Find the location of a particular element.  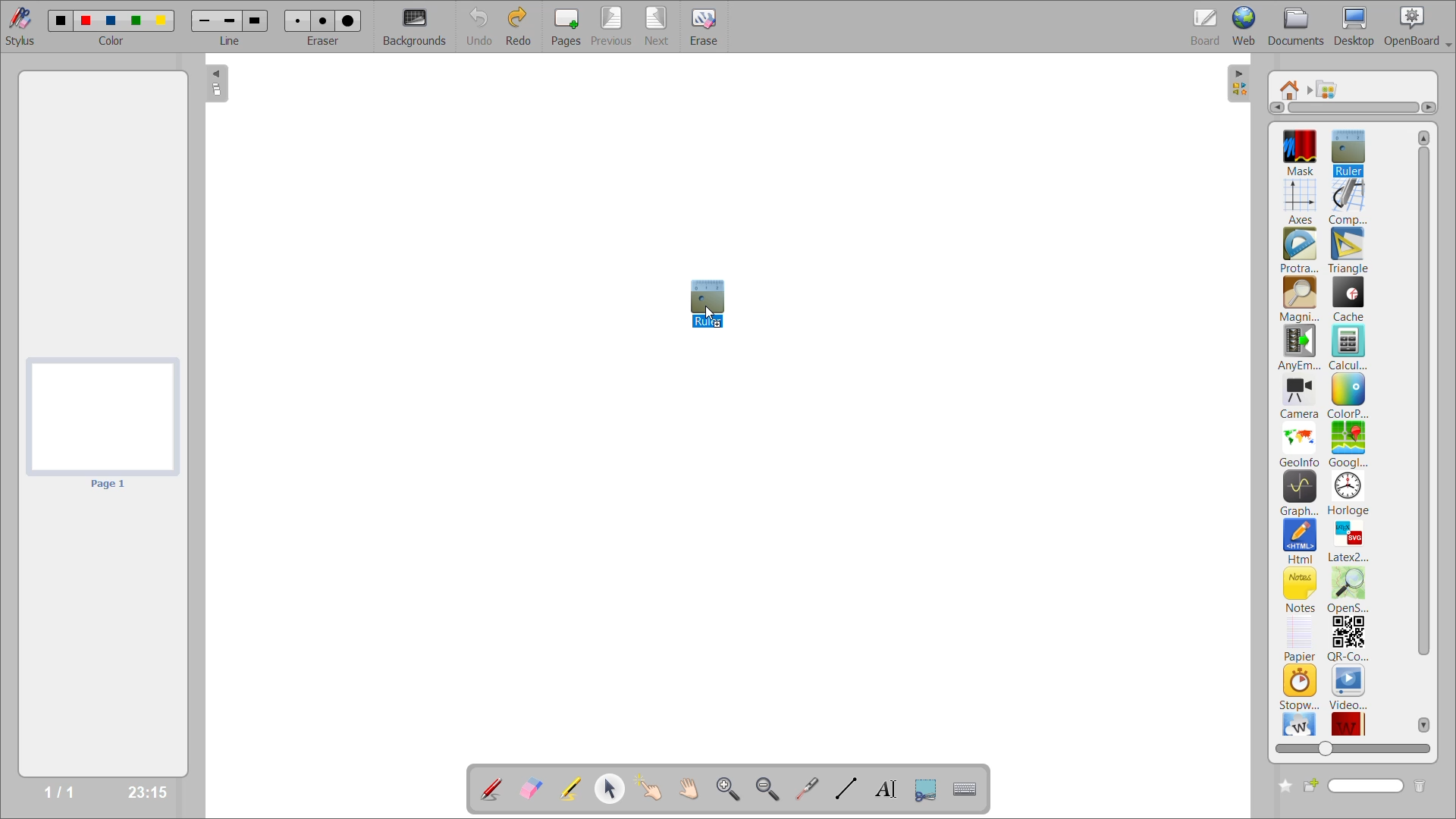

mouse up is located at coordinates (711, 315).